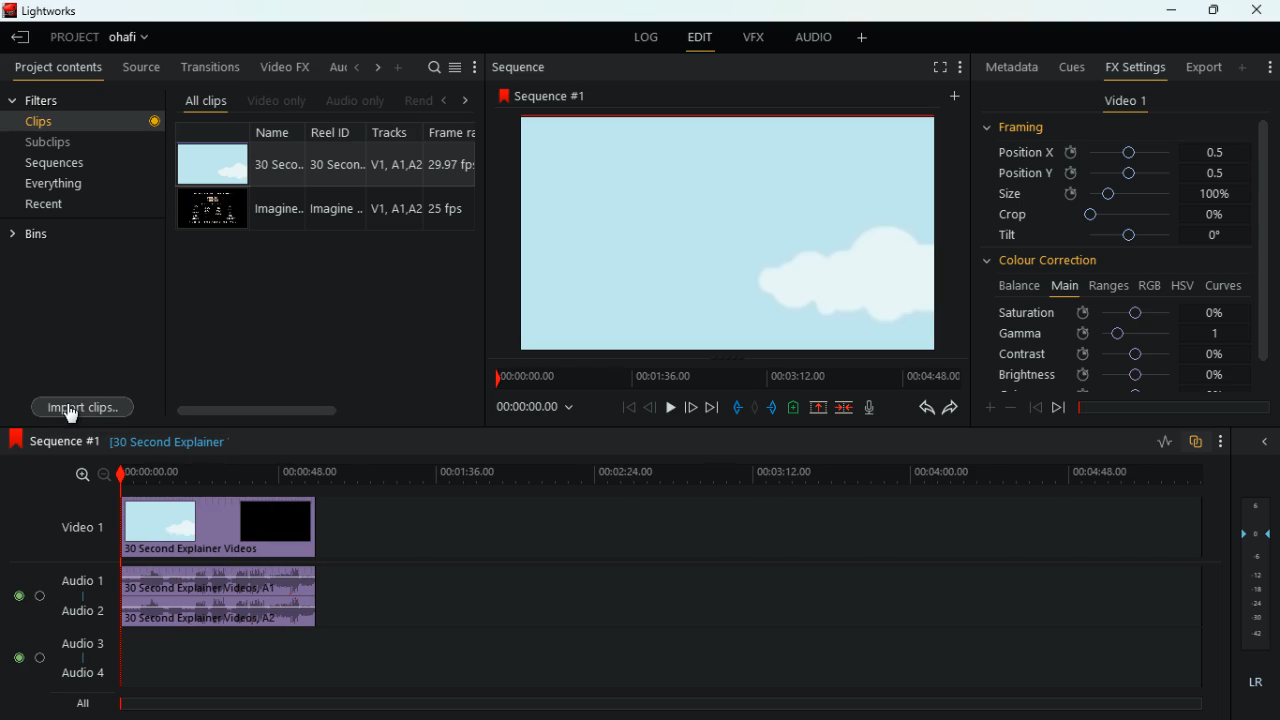  Describe the element at coordinates (85, 121) in the screenshot. I see `clips` at that location.